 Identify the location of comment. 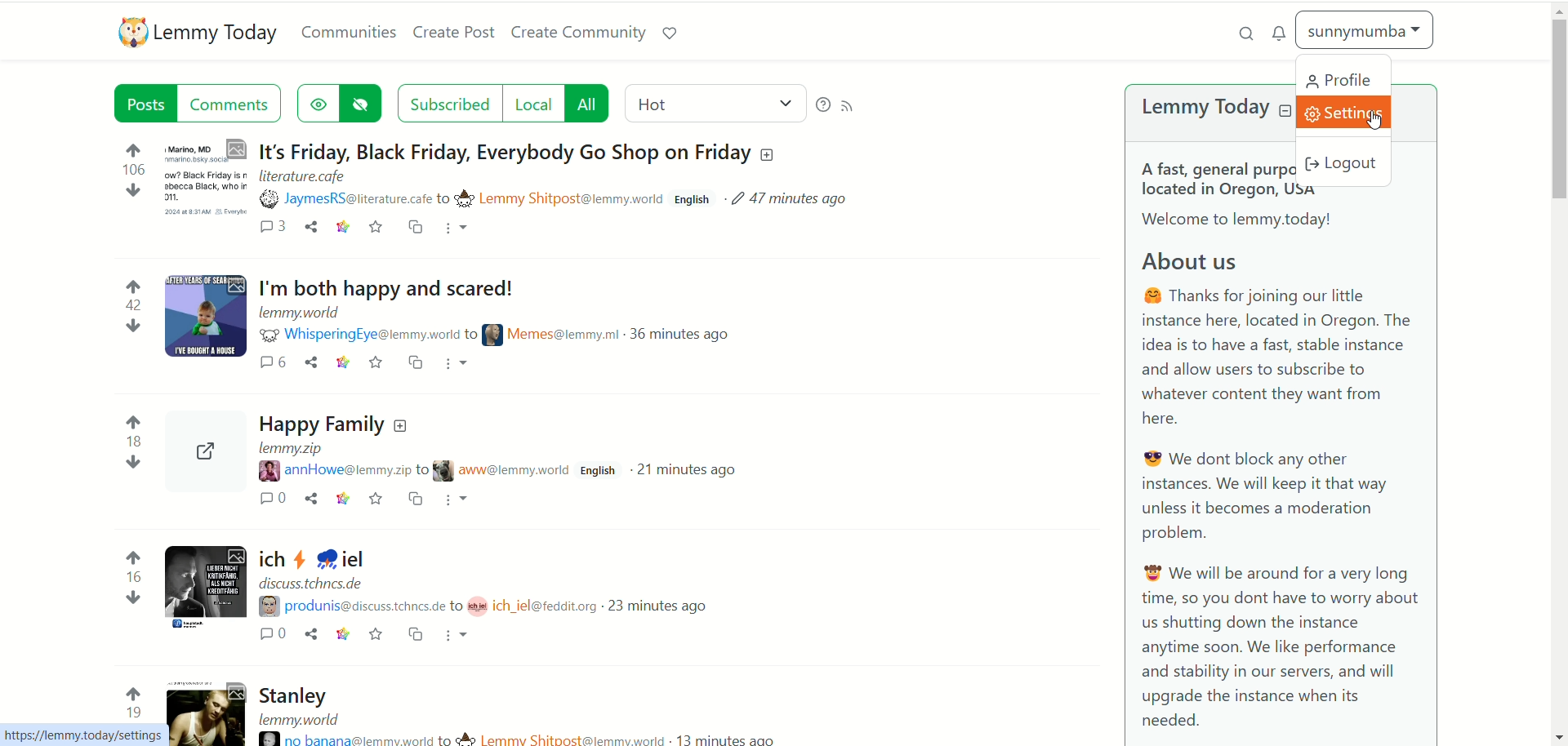
(271, 229).